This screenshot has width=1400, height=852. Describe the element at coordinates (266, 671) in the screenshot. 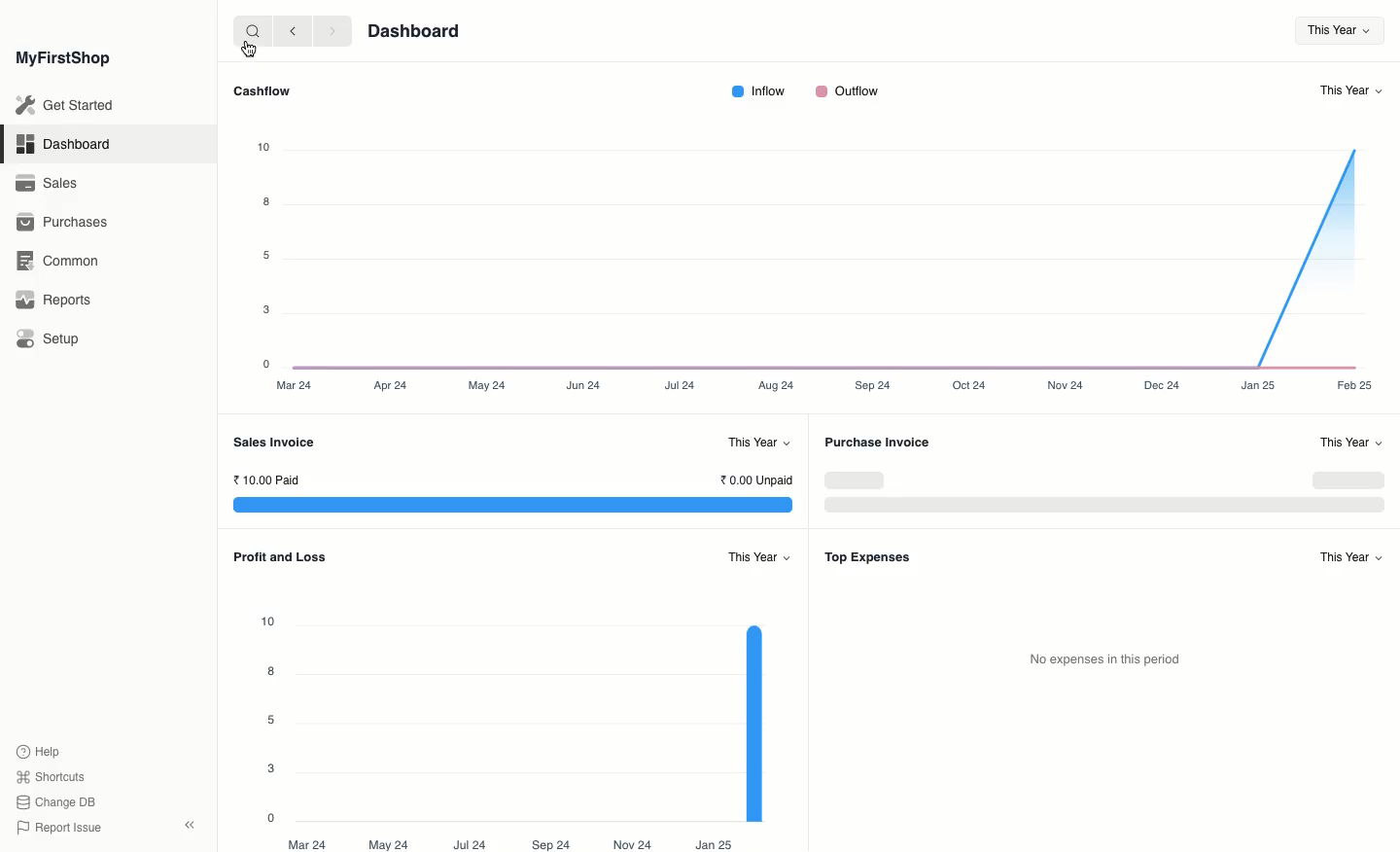

I see `8` at that location.